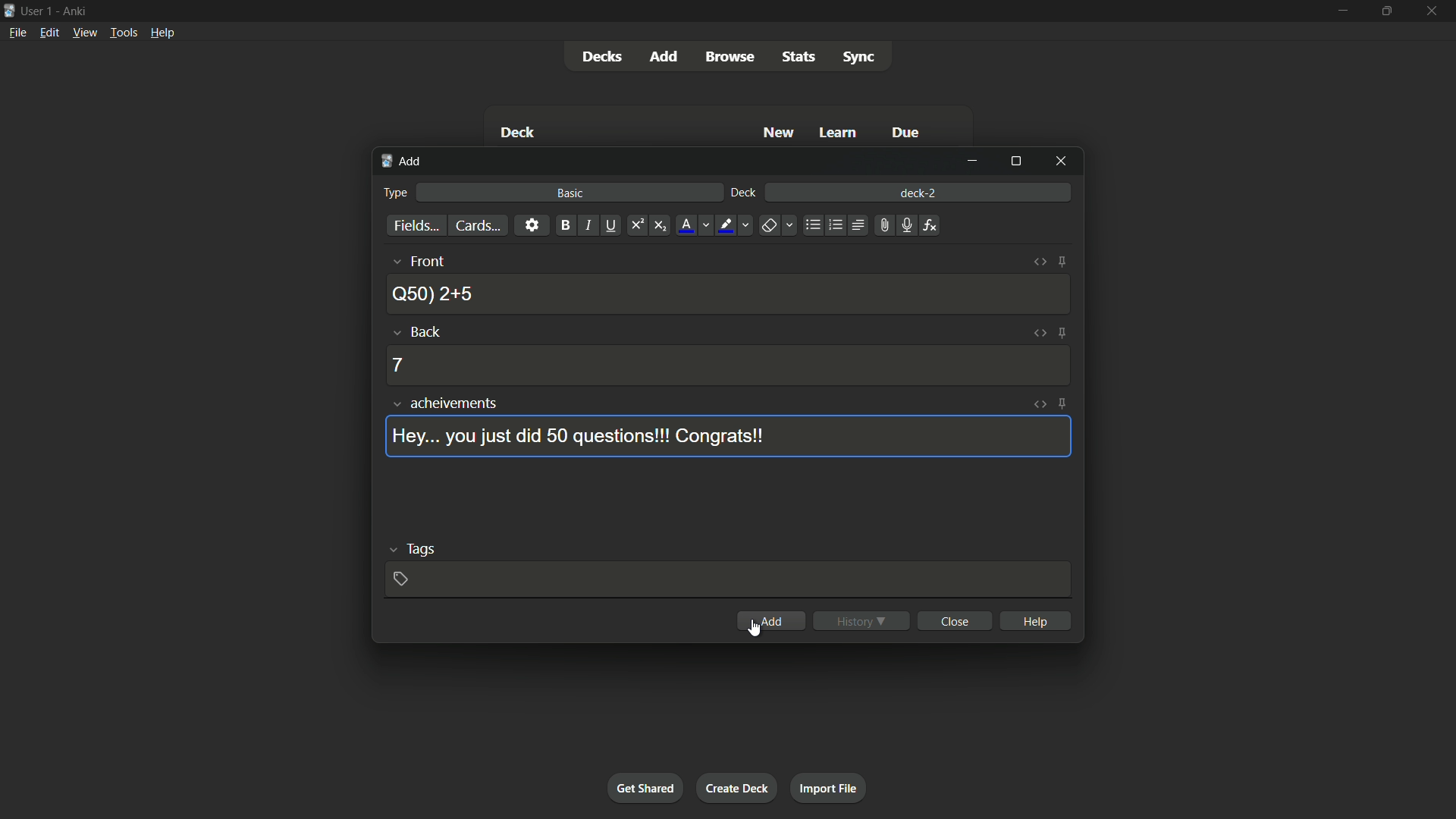 The height and width of the screenshot is (819, 1456). What do you see at coordinates (1014, 162) in the screenshot?
I see `maximize` at bounding box center [1014, 162].